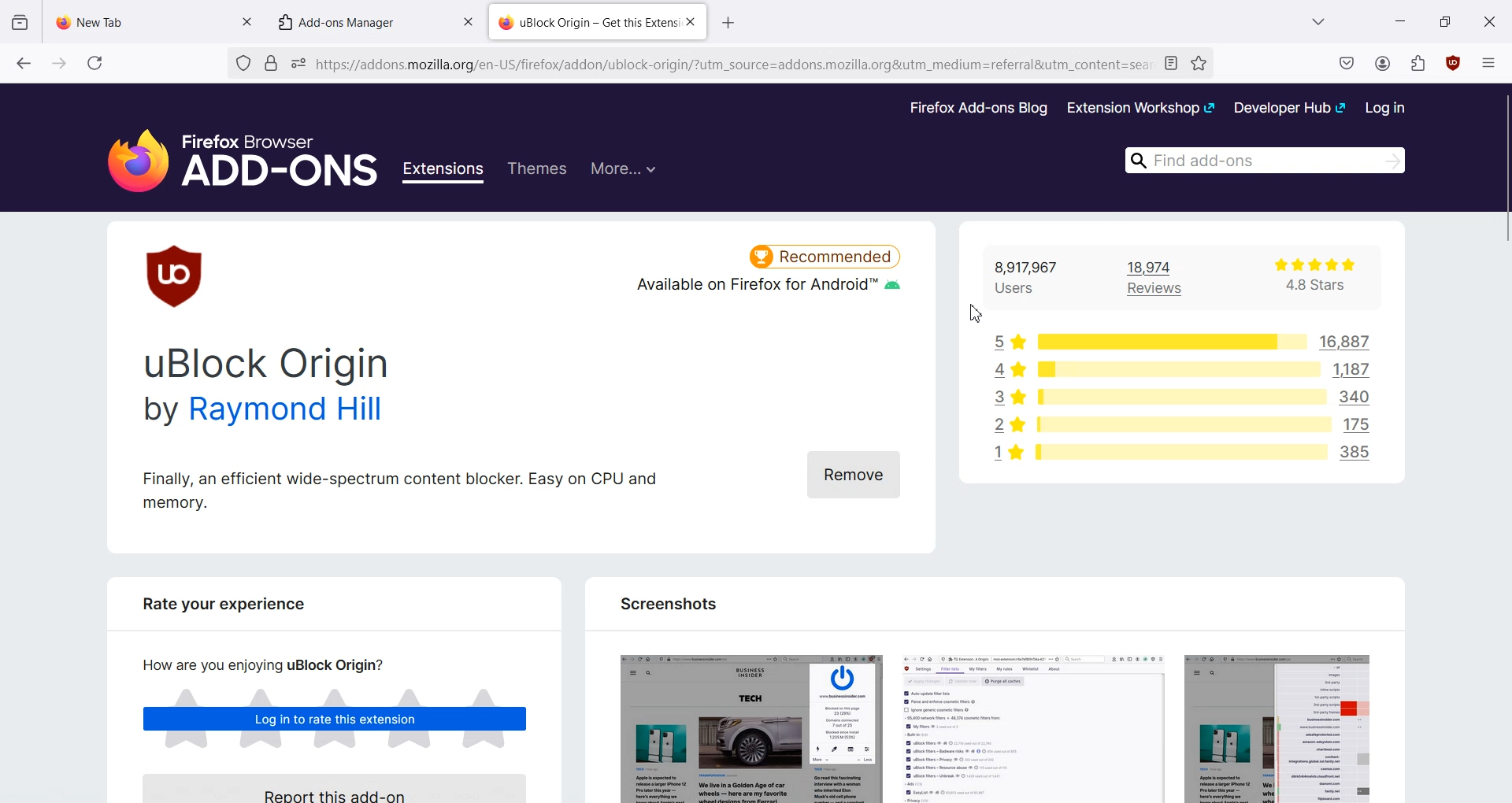 This screenshot has height=803, width=1512. What do you see at coordinates (1165, 277) in the screenshot?
I see `18,974 Review` at bounding box center [1165, 277].